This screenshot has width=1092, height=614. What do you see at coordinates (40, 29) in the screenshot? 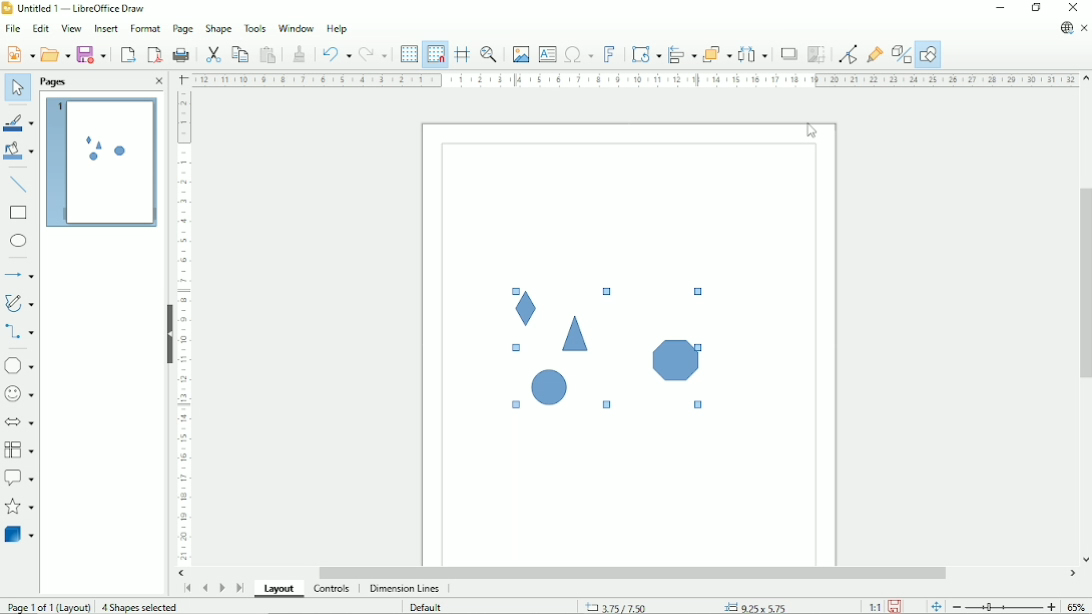
I see `Edit` at bounding box center [40, 29].